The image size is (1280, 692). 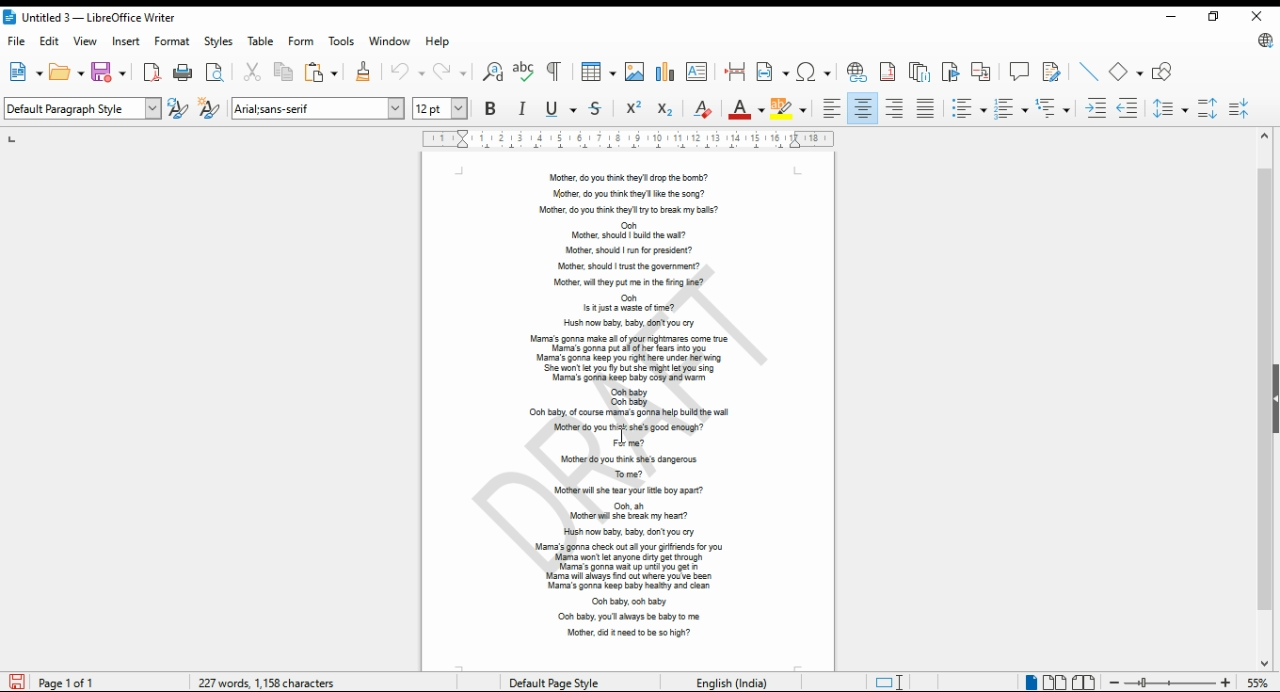 What do you see at coordinates (1210, 108) in the screenshot?
I see `increase paragraph spacing` at bounding box center [1210, 108].